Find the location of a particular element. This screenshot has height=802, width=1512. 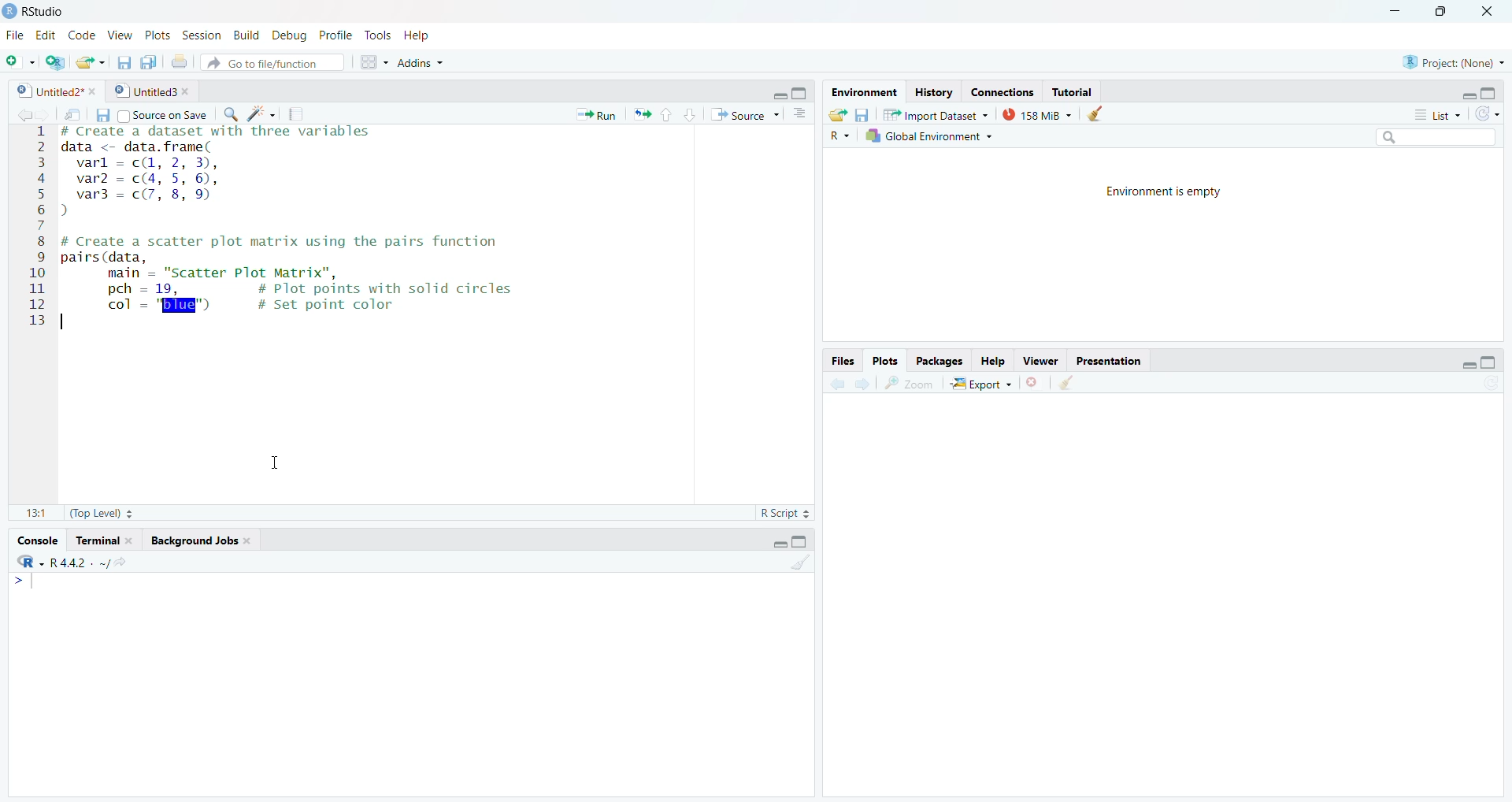

Save all open document is located at coordinates (150, 61).